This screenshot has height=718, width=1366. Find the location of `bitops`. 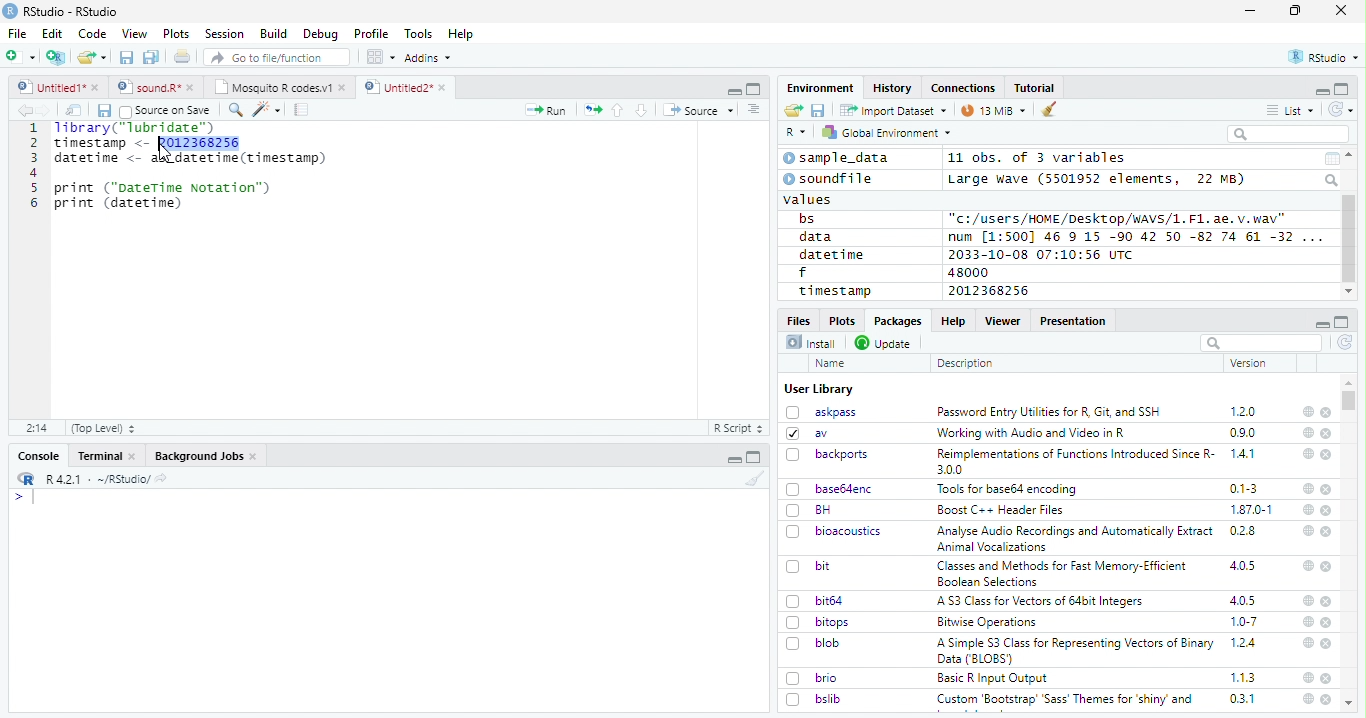

bitops is located at coordinates (819, 622).